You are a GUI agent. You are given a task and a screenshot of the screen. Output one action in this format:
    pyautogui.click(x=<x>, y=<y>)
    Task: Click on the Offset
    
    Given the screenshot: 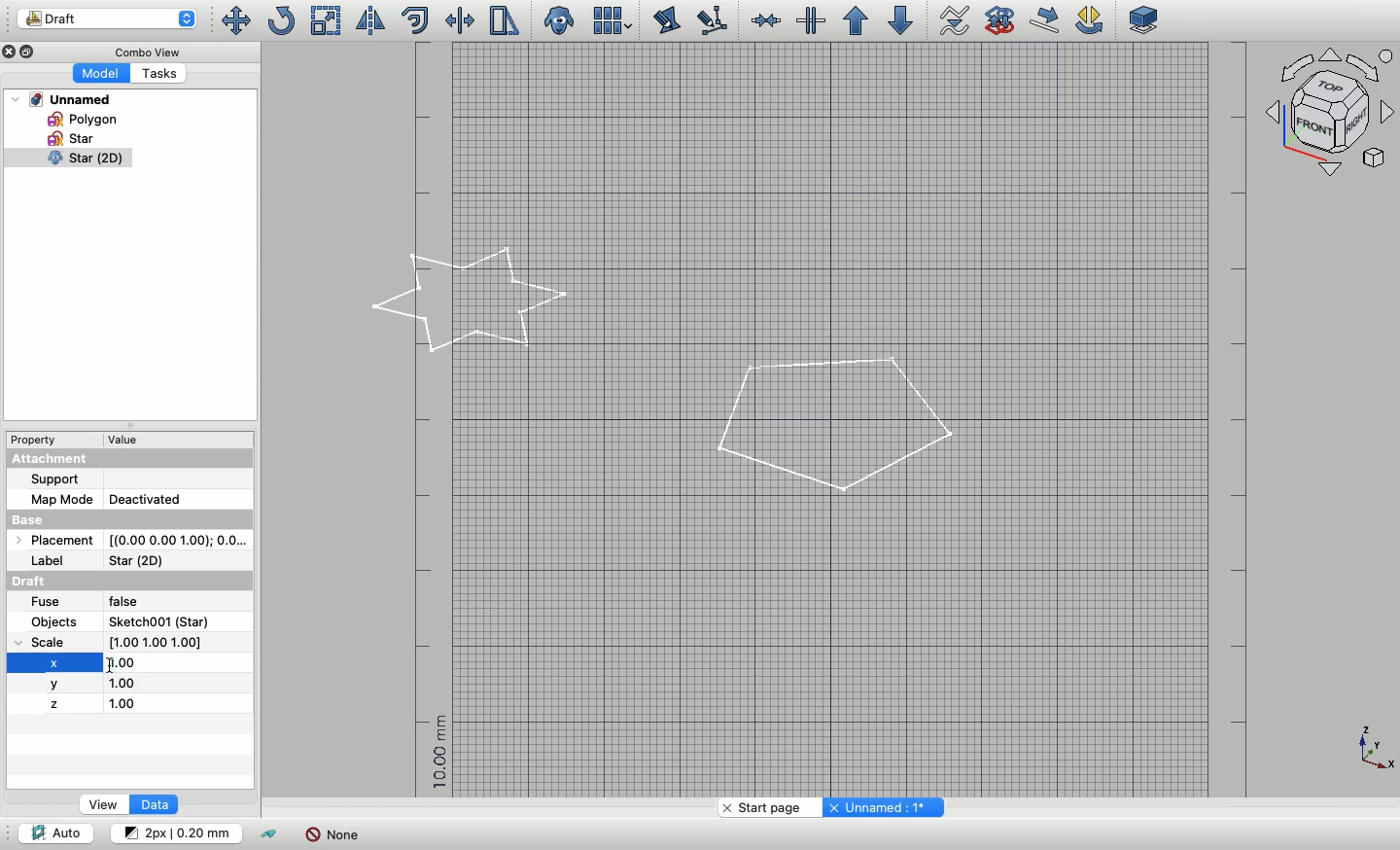 What is the action you would take?
    pyautogui.click(x=415, y=20)
    